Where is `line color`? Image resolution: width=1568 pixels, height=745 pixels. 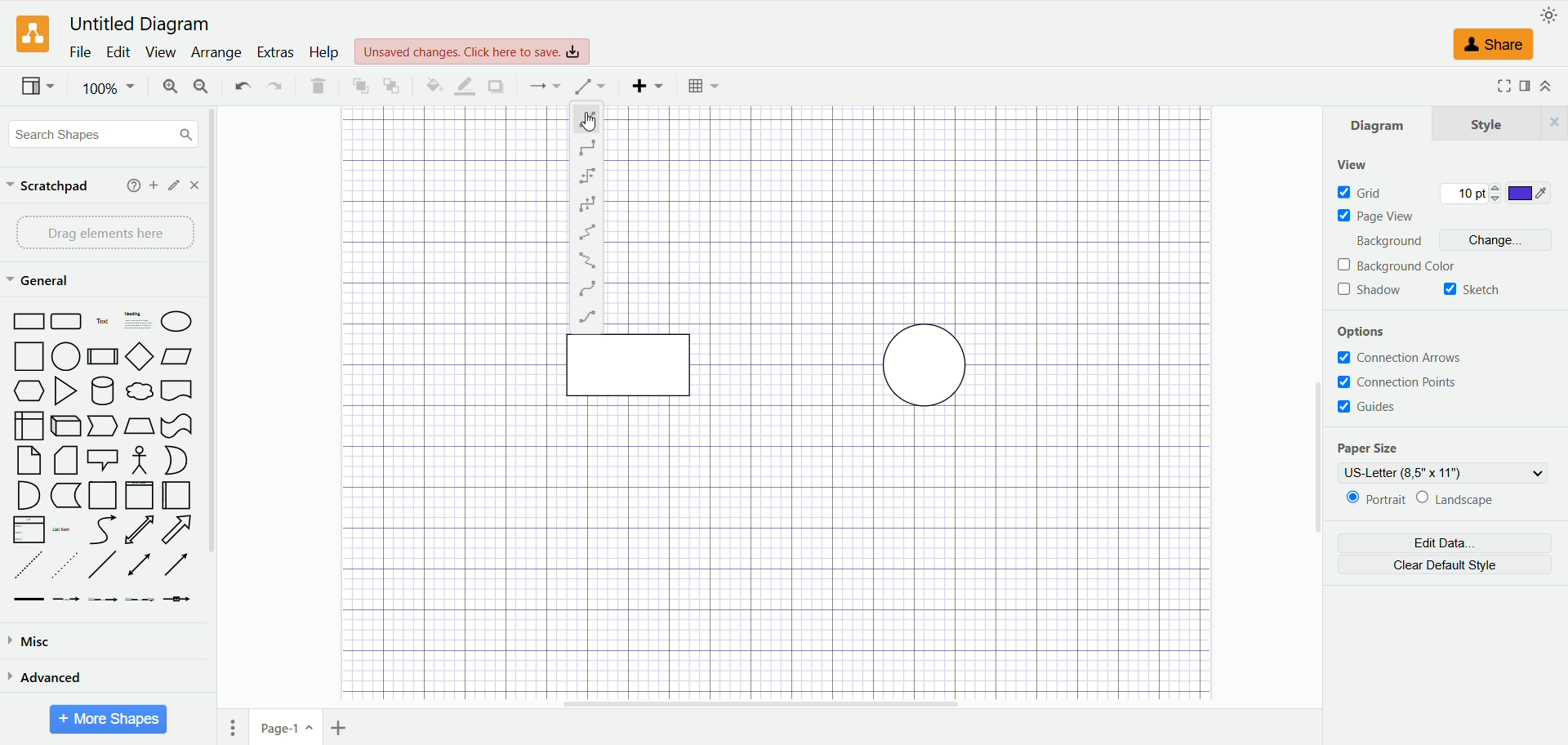
line color is located at coordinates (466, 87).